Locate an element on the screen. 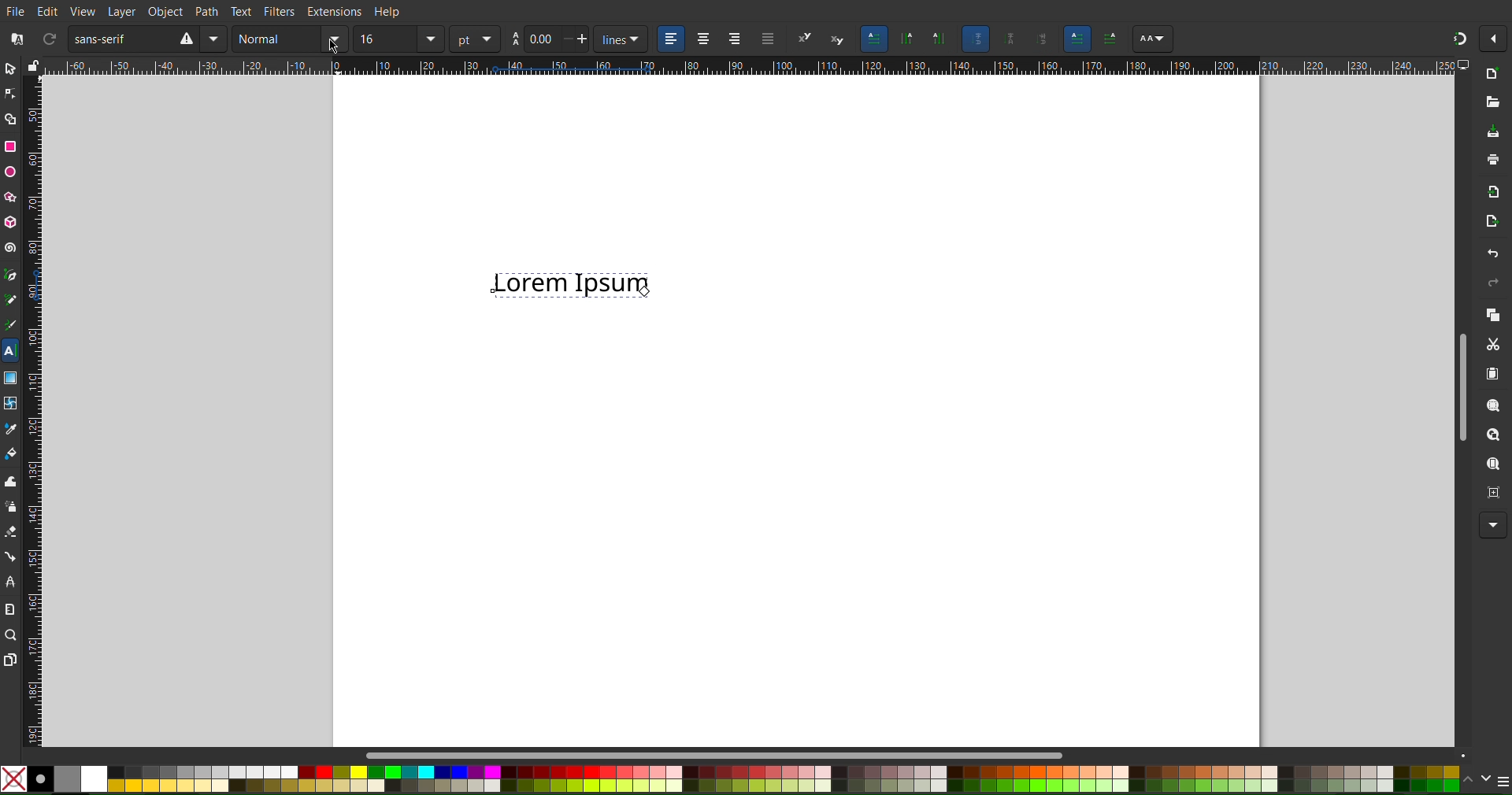 This screenshot has width=1512, height=795. New is located at coordinates (1493, 73).